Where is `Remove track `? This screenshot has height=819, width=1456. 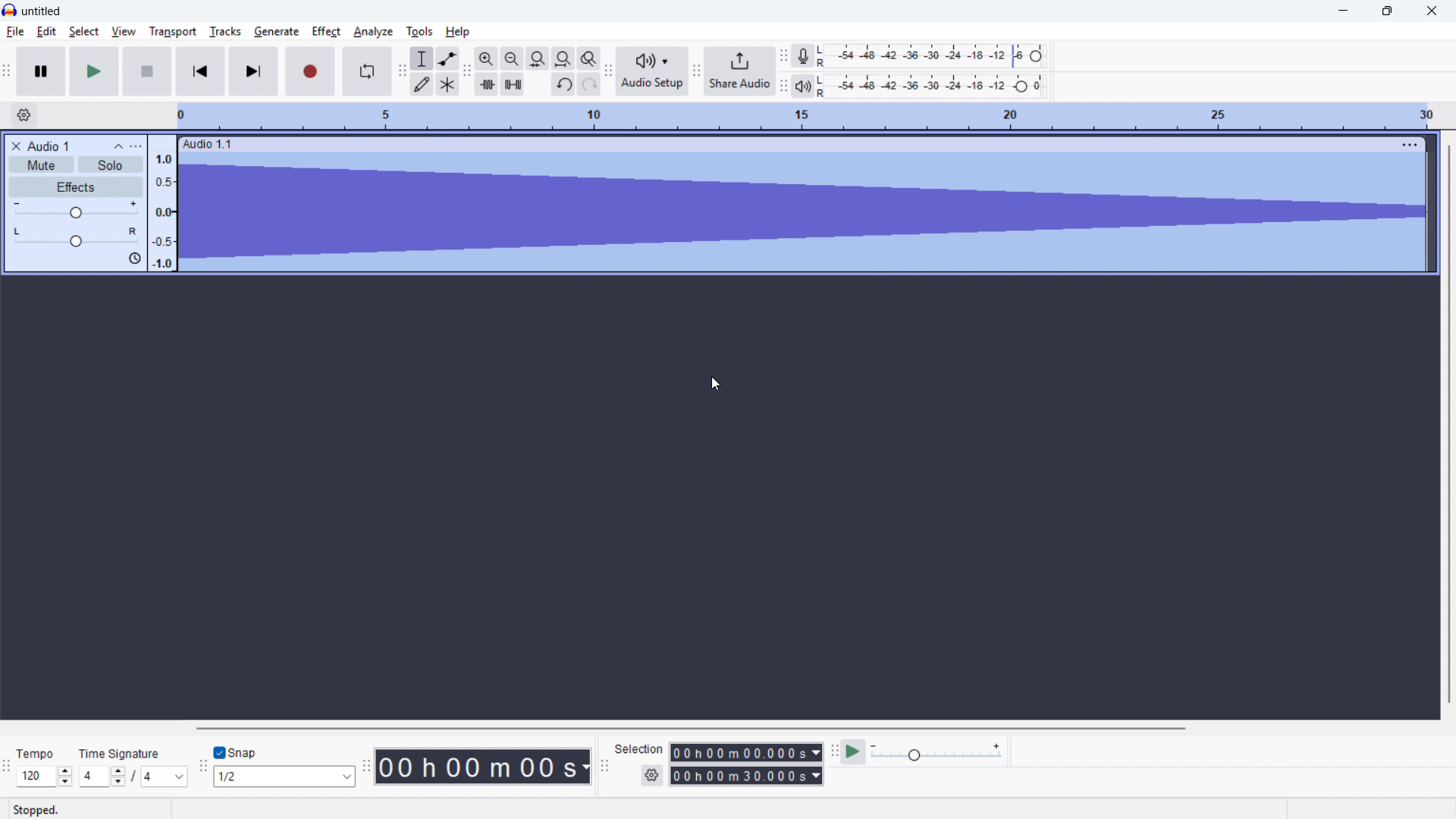
Remove track  is located at coordinates (15, 146).